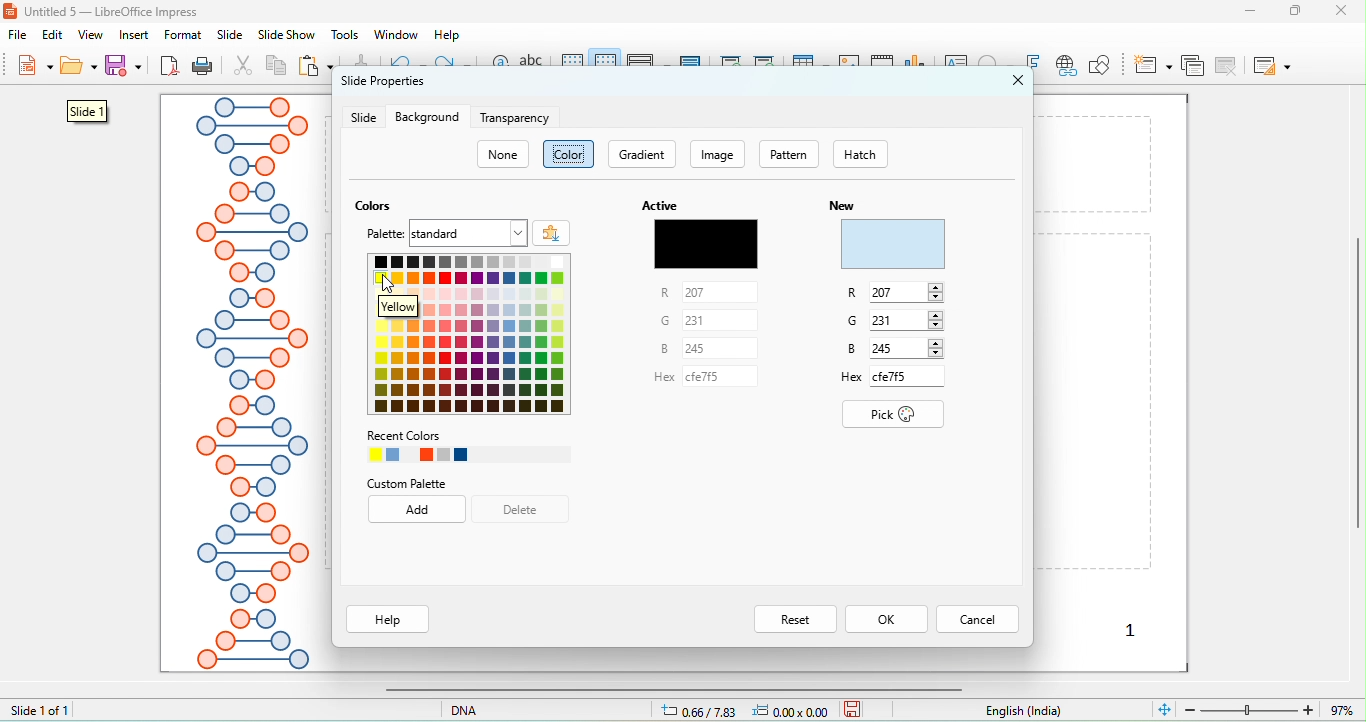 The height and width of the screenshot is (722, 1366). I want to click on gradient, so click(643, 154).